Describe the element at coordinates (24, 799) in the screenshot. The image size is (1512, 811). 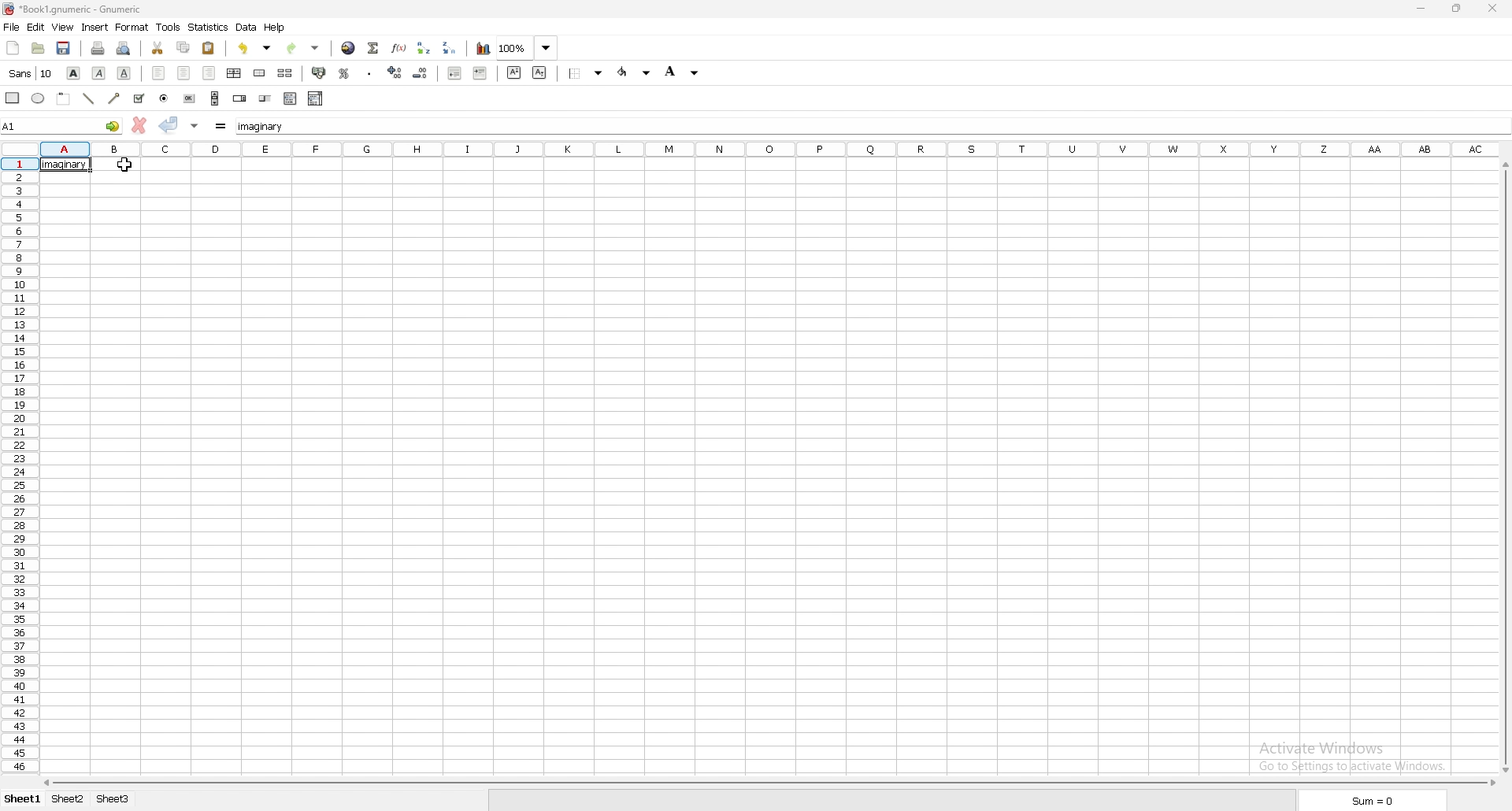
I see `sheet 1` at that location.